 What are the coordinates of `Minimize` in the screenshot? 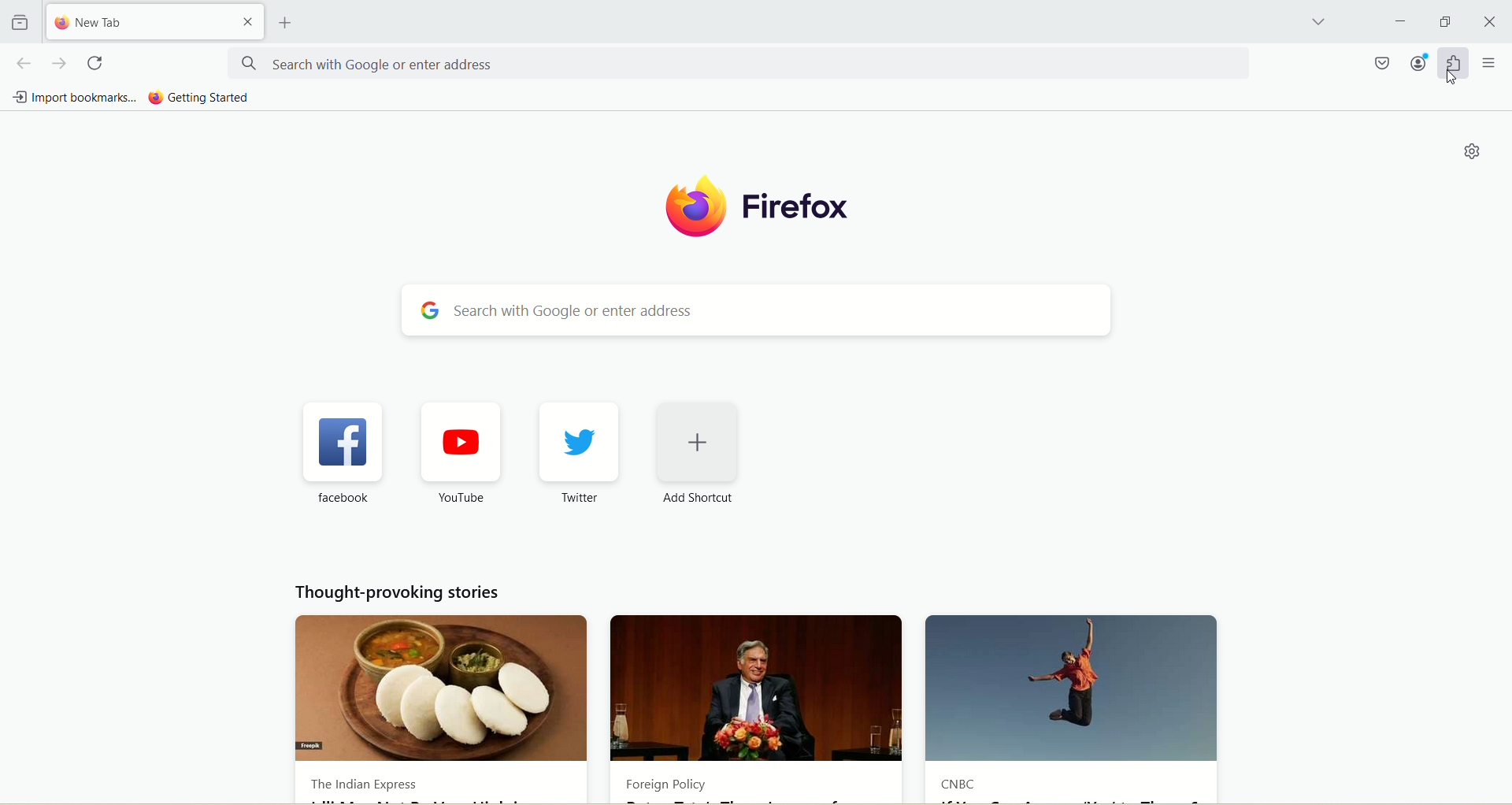 It's located at (1445, 21).